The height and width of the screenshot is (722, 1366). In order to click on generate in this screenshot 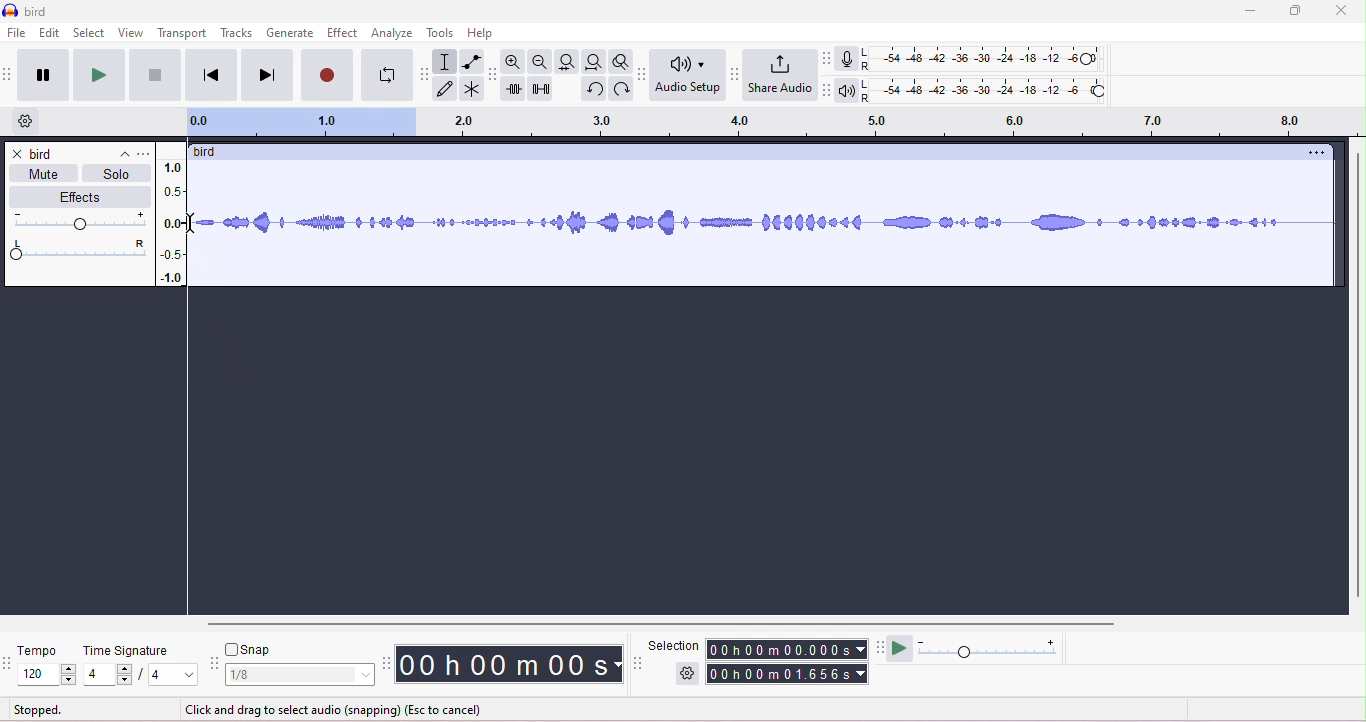, I will do `click(290, 34)`.